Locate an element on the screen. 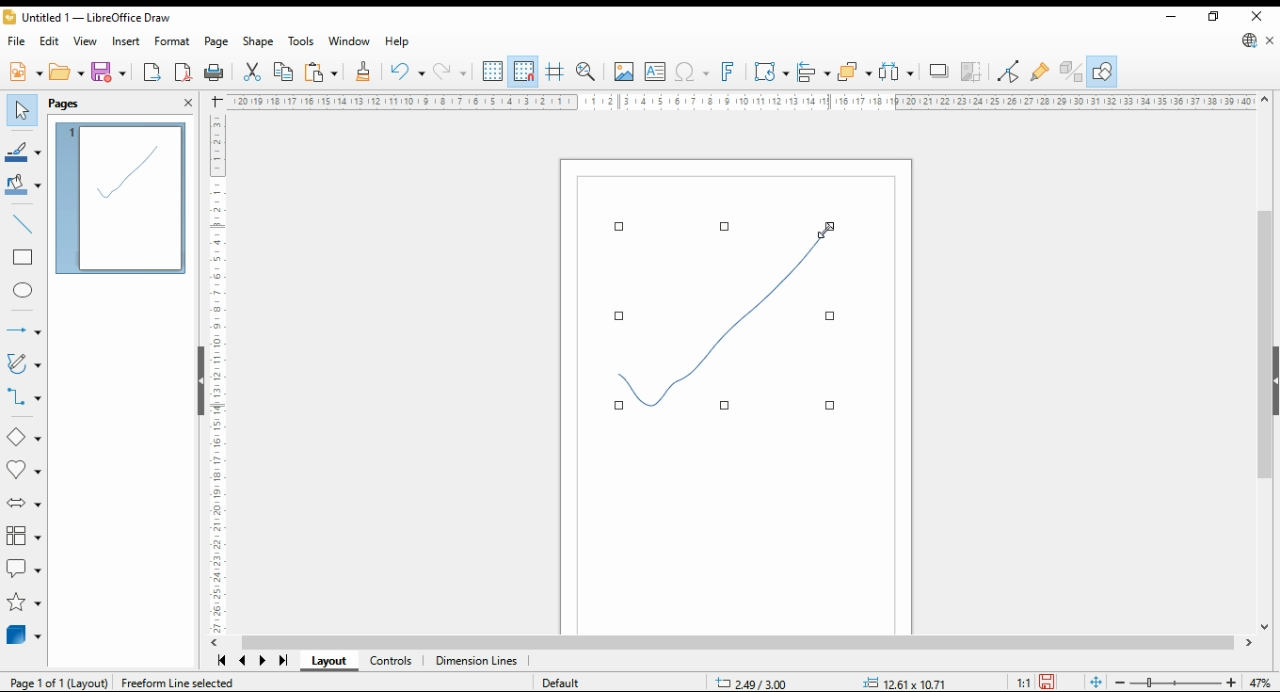  rectangle is located at coordinates (23, 259).